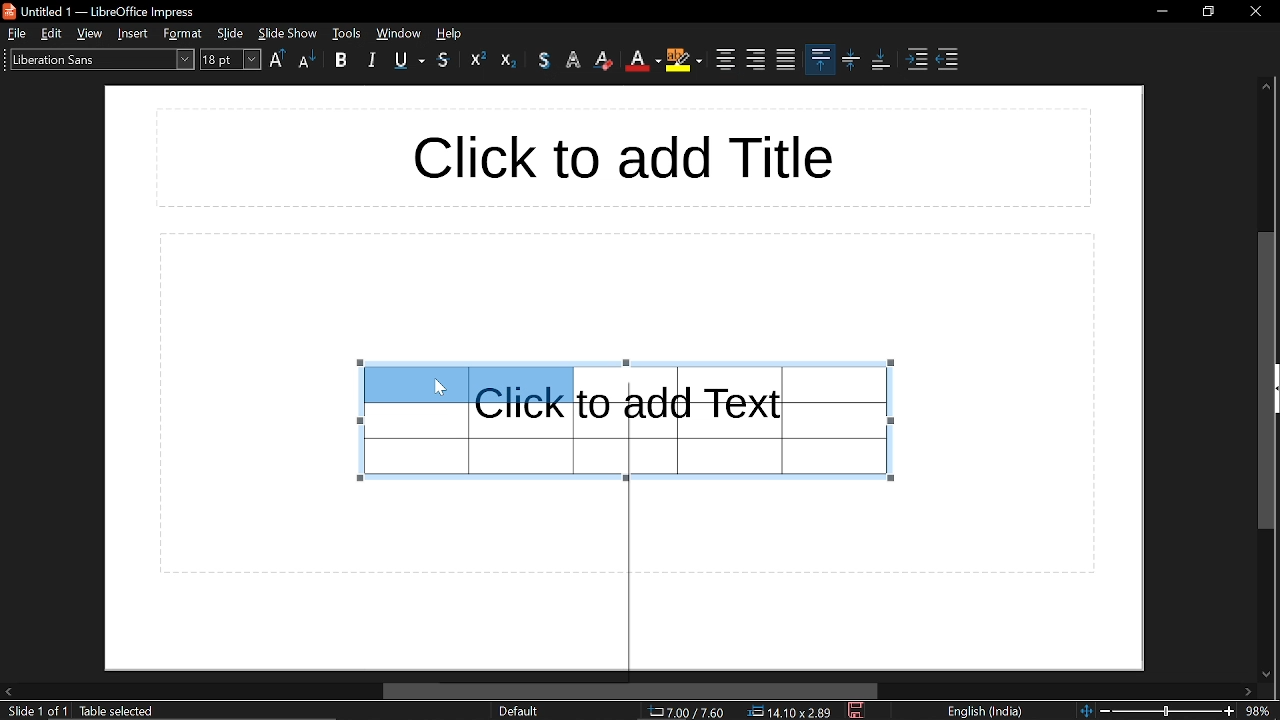 This screenshot has width=1280, height=720. What do you see at coordinates (478, 59) in the screenshot?
I see `superscript` at bounding box center [478, 59].